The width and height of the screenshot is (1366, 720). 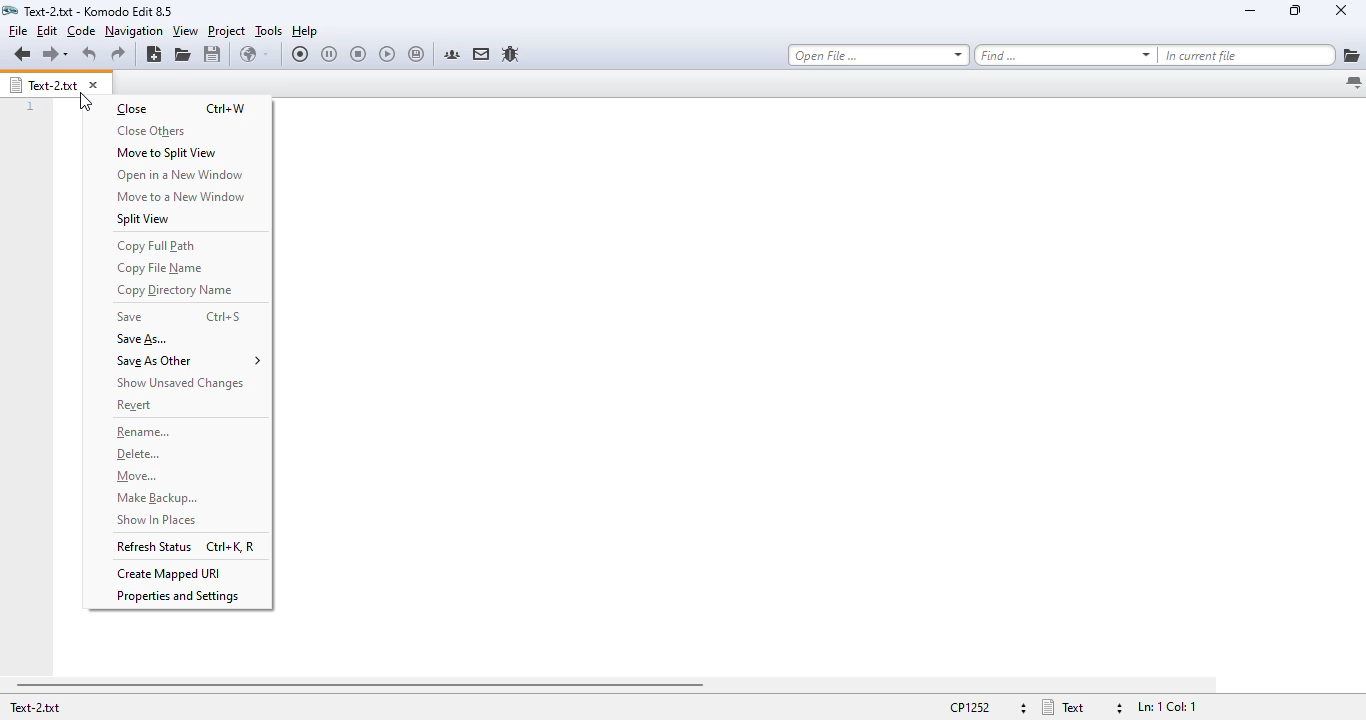 I want to click on file, so click(x=18, y=31).